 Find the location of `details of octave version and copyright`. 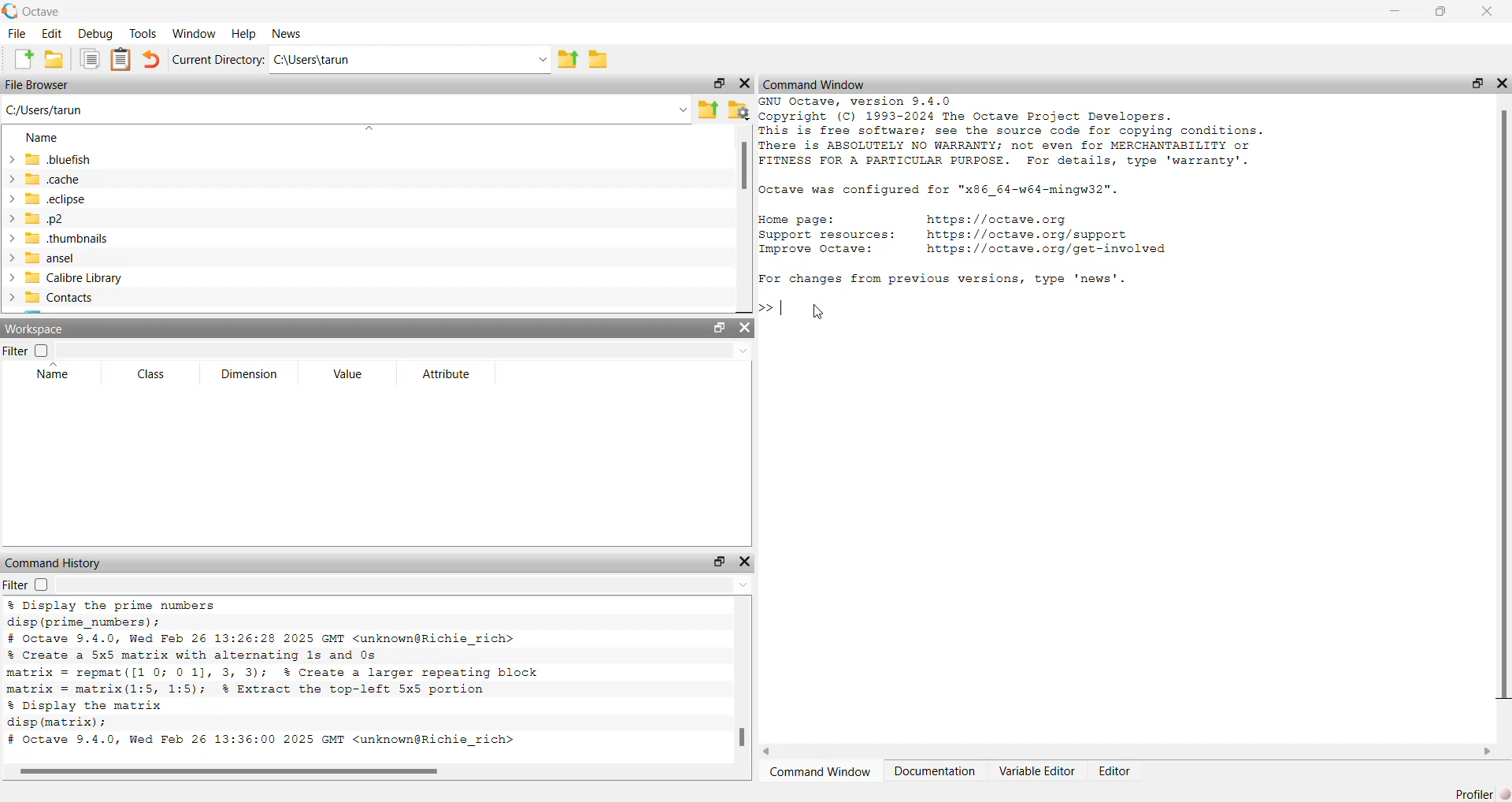

details of octave version and copyright is located at coordinates (1043, 134).